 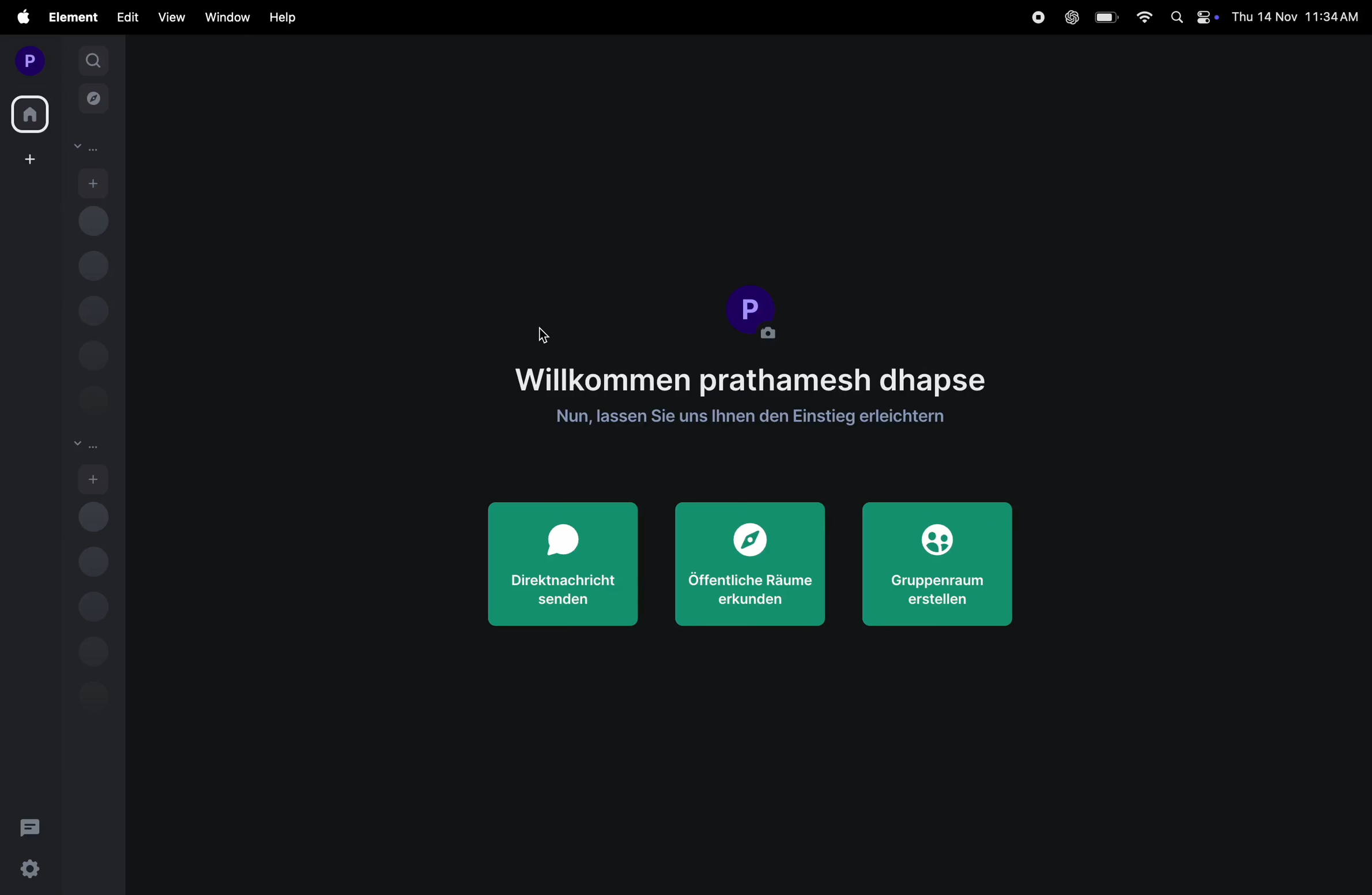 What do you see at coordinates (1105, 17) in the screenshot?
I see `battery` at bounding box center [1105, 17].